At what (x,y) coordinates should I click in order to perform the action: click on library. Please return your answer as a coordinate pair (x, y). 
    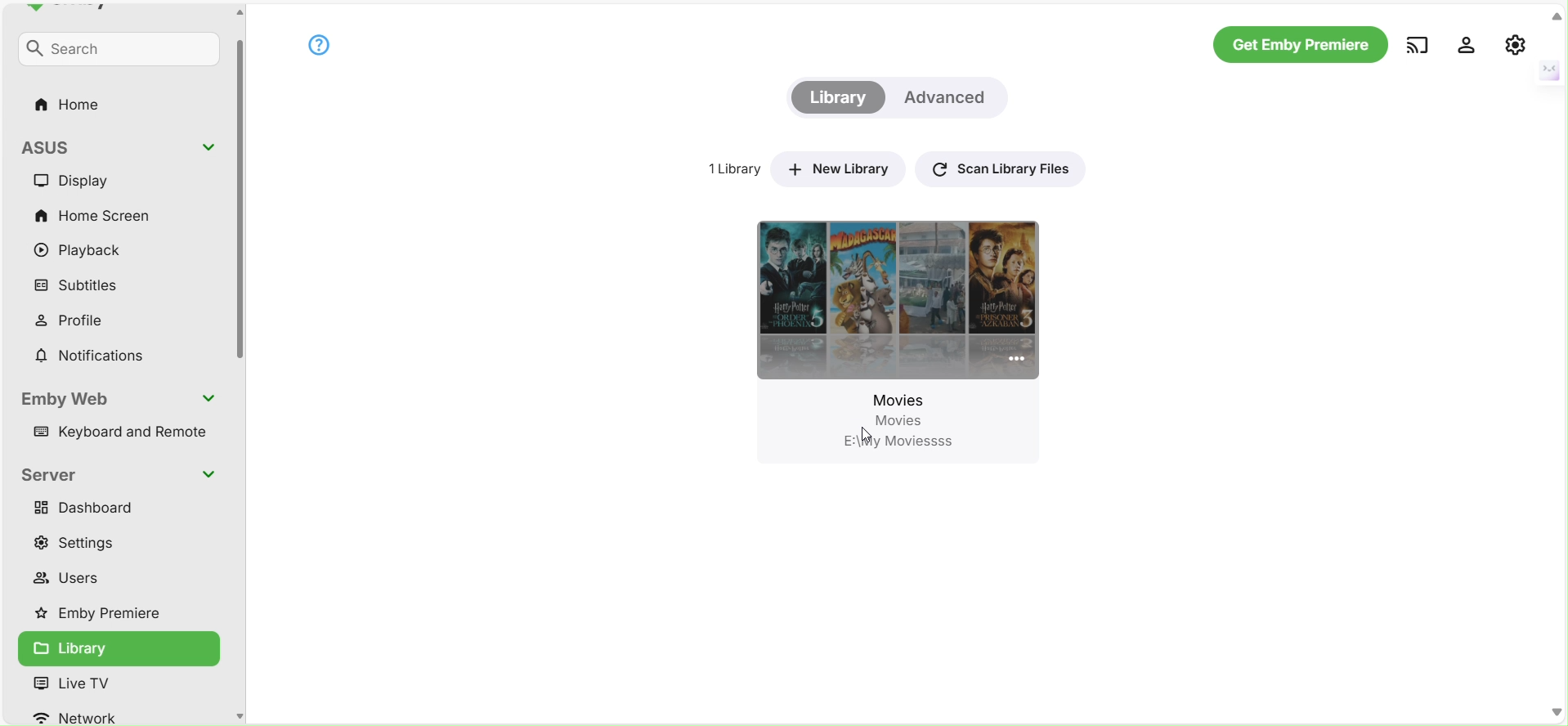
    Looking at the image, I should click on (99, 683).